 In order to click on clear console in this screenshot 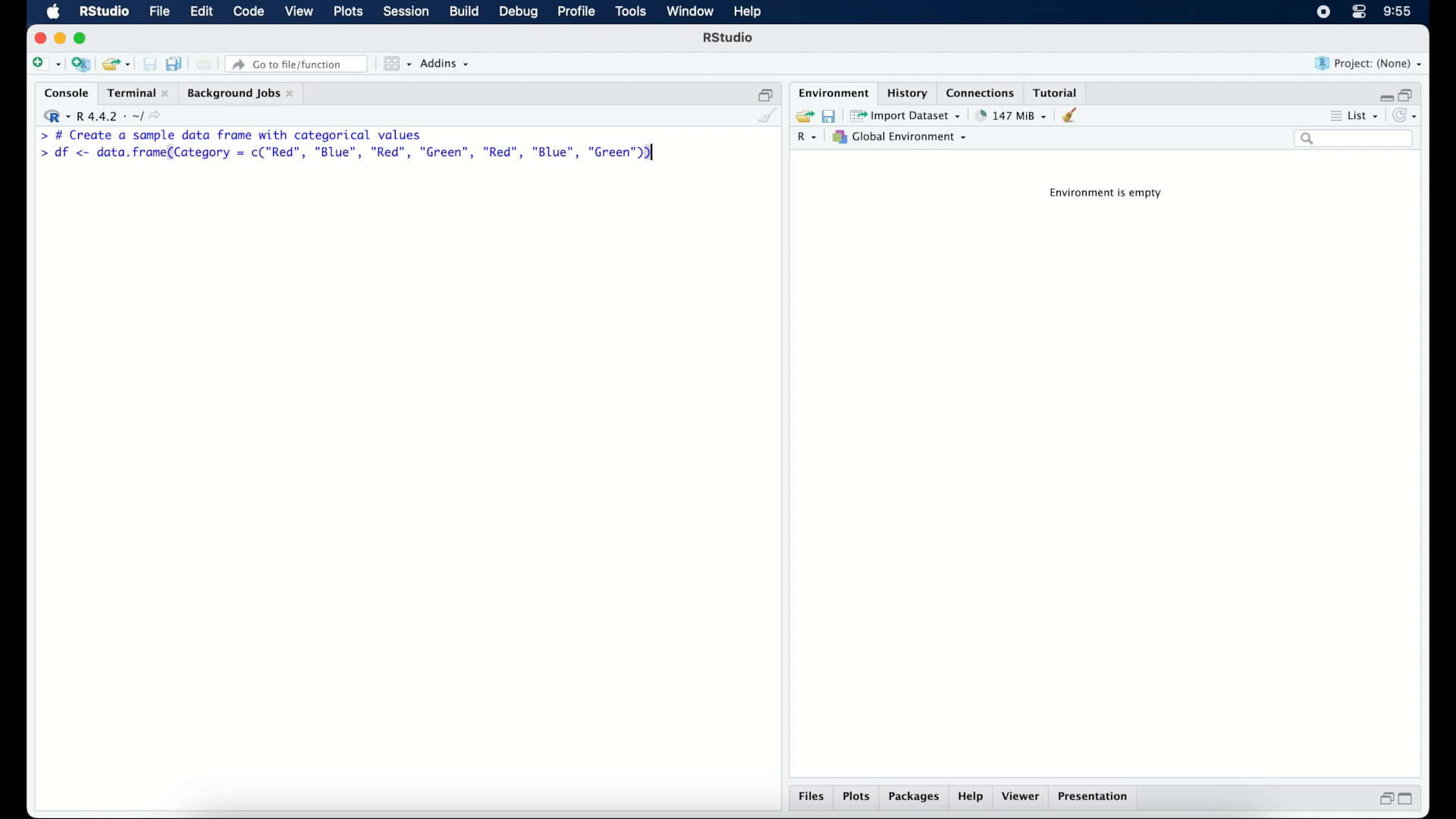, I will do `click(768, 116)`.